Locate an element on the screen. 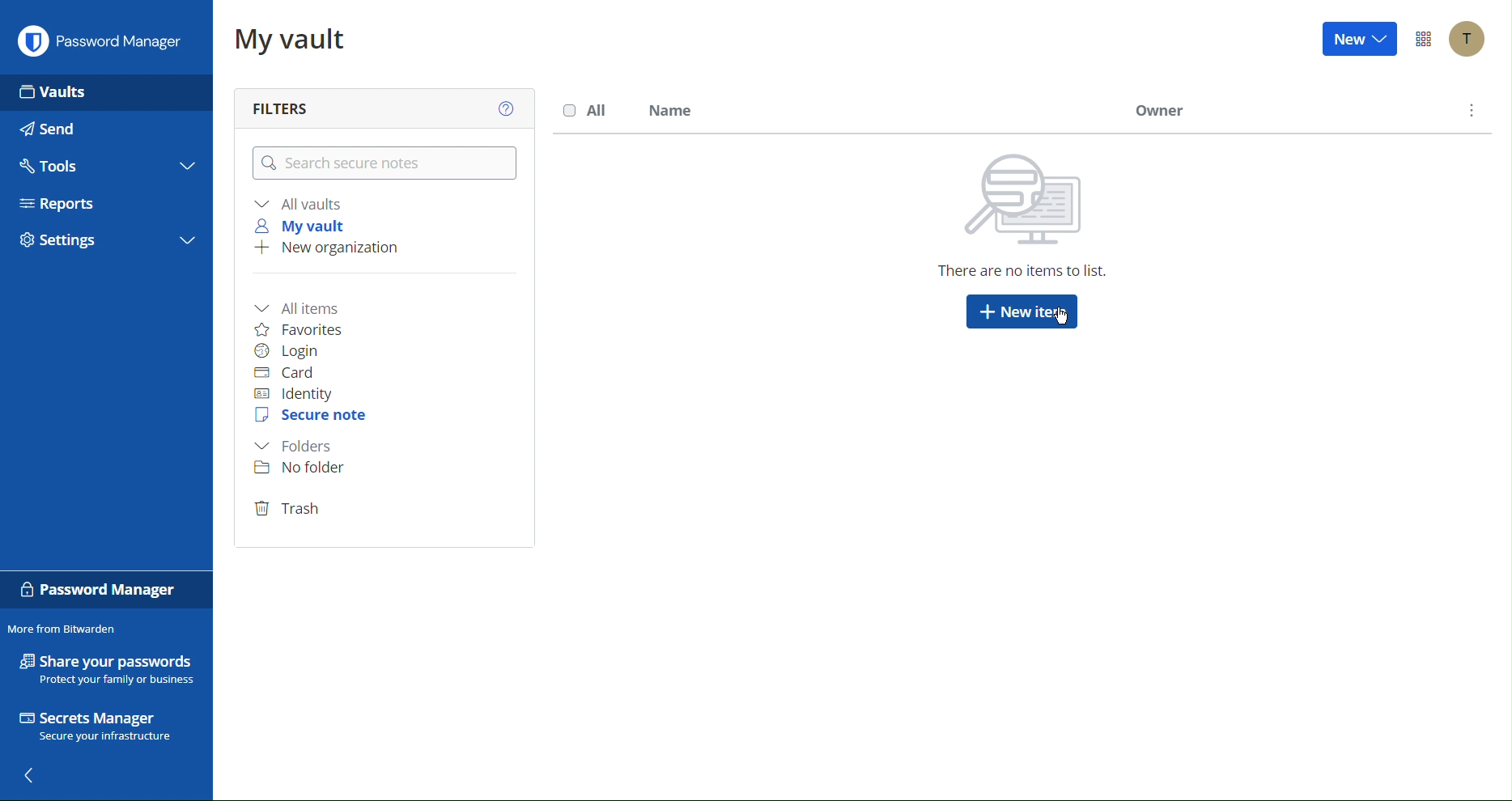  Cursor is located at coordinates (1063, 320).